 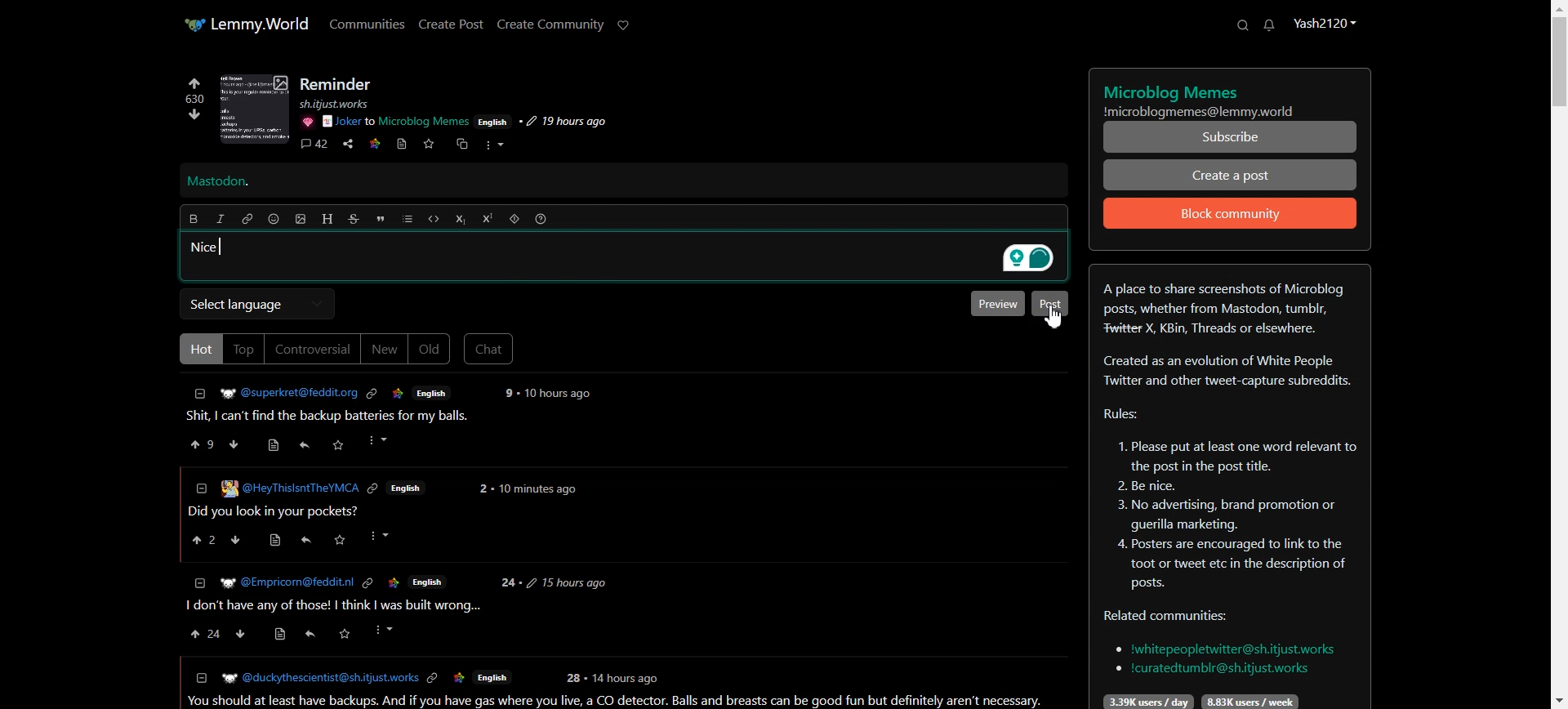 What do you see at coordinates (1231, 137) in the screenshot?
I see `Subscribe` at bounding box center [1231, 137].